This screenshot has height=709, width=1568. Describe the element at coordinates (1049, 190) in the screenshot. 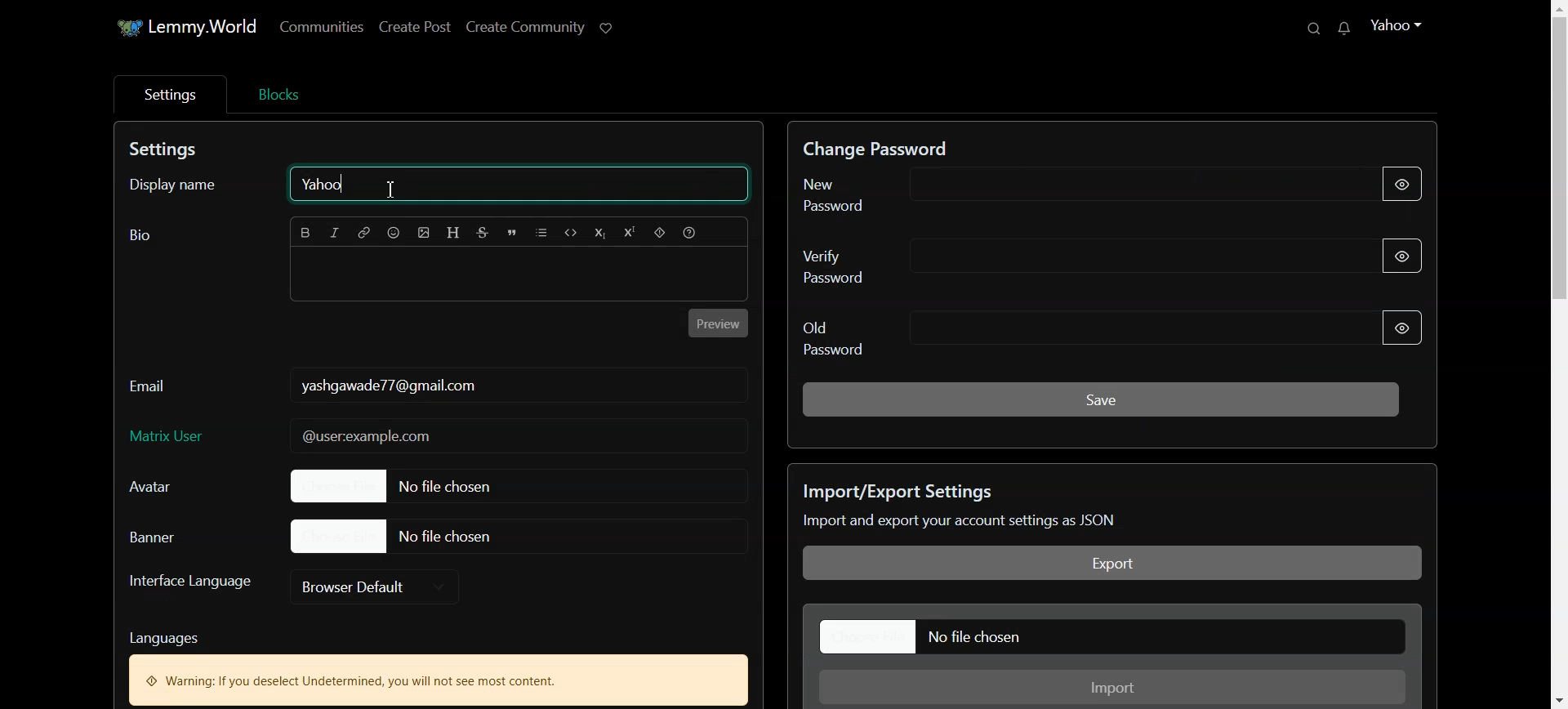

I see `New Password` at that location.